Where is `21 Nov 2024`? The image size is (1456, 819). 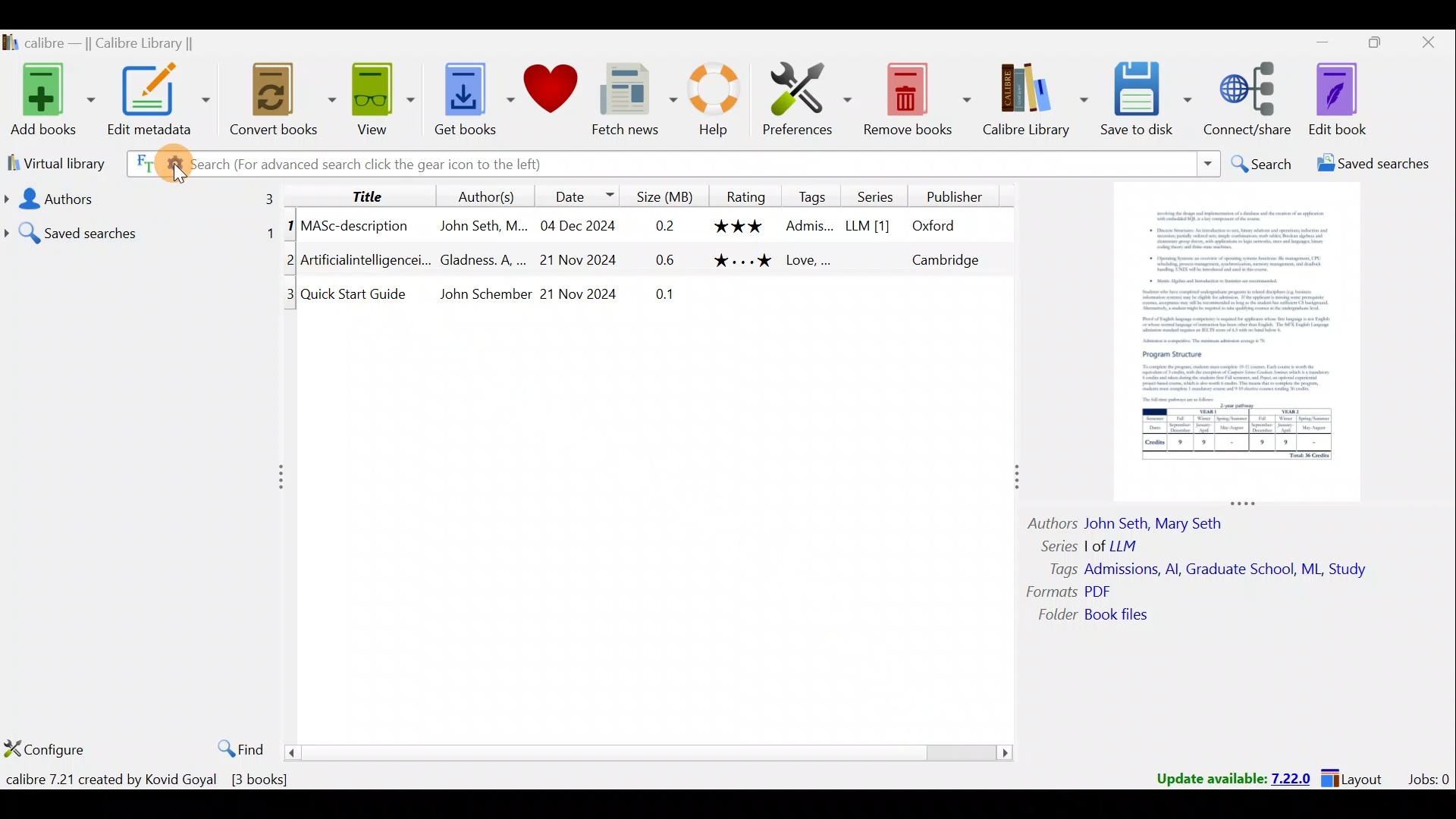 21 Nov 2024 is located at coordinates (579, 296).